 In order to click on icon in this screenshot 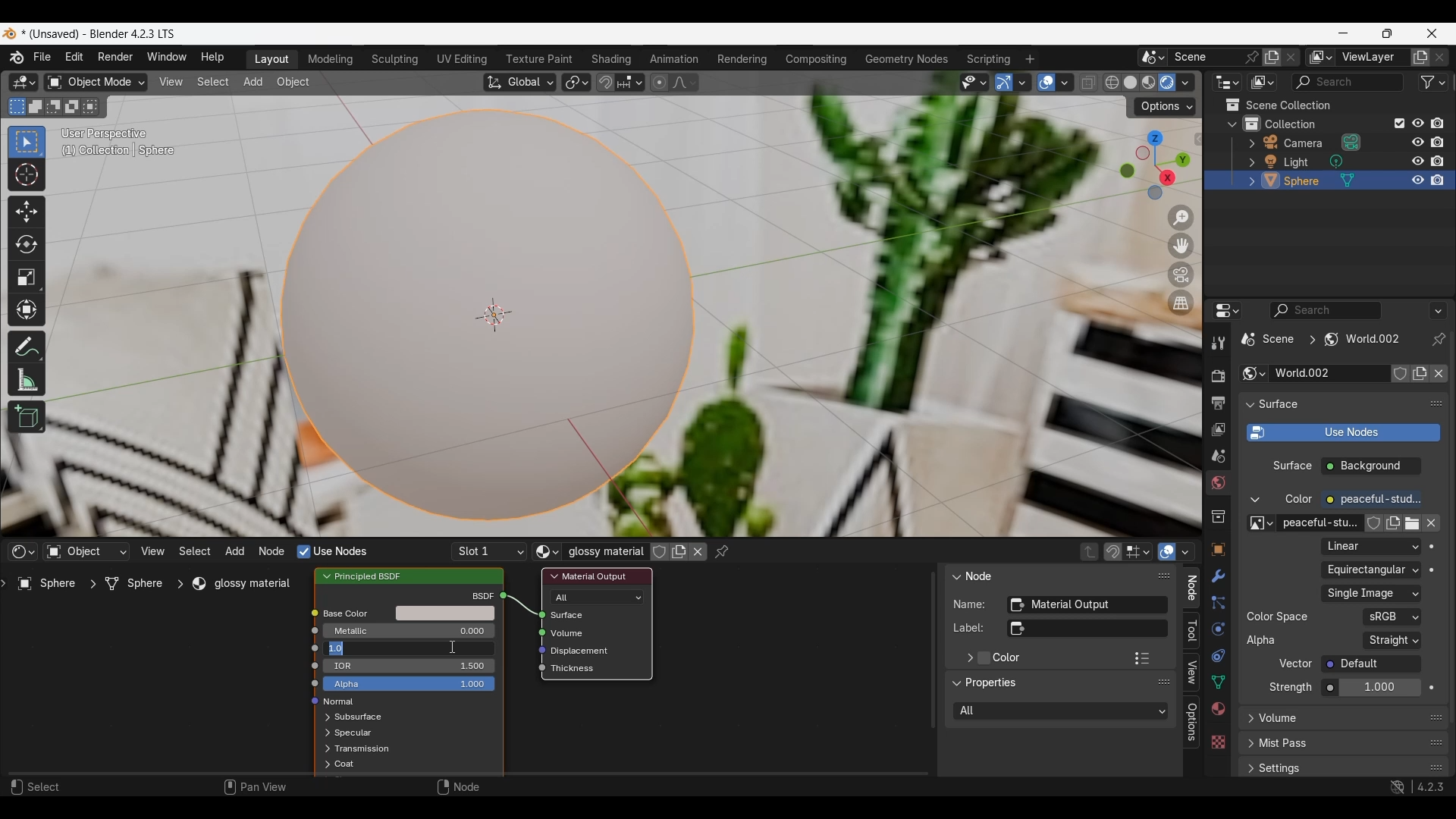, I will do `click(535, 670)`.